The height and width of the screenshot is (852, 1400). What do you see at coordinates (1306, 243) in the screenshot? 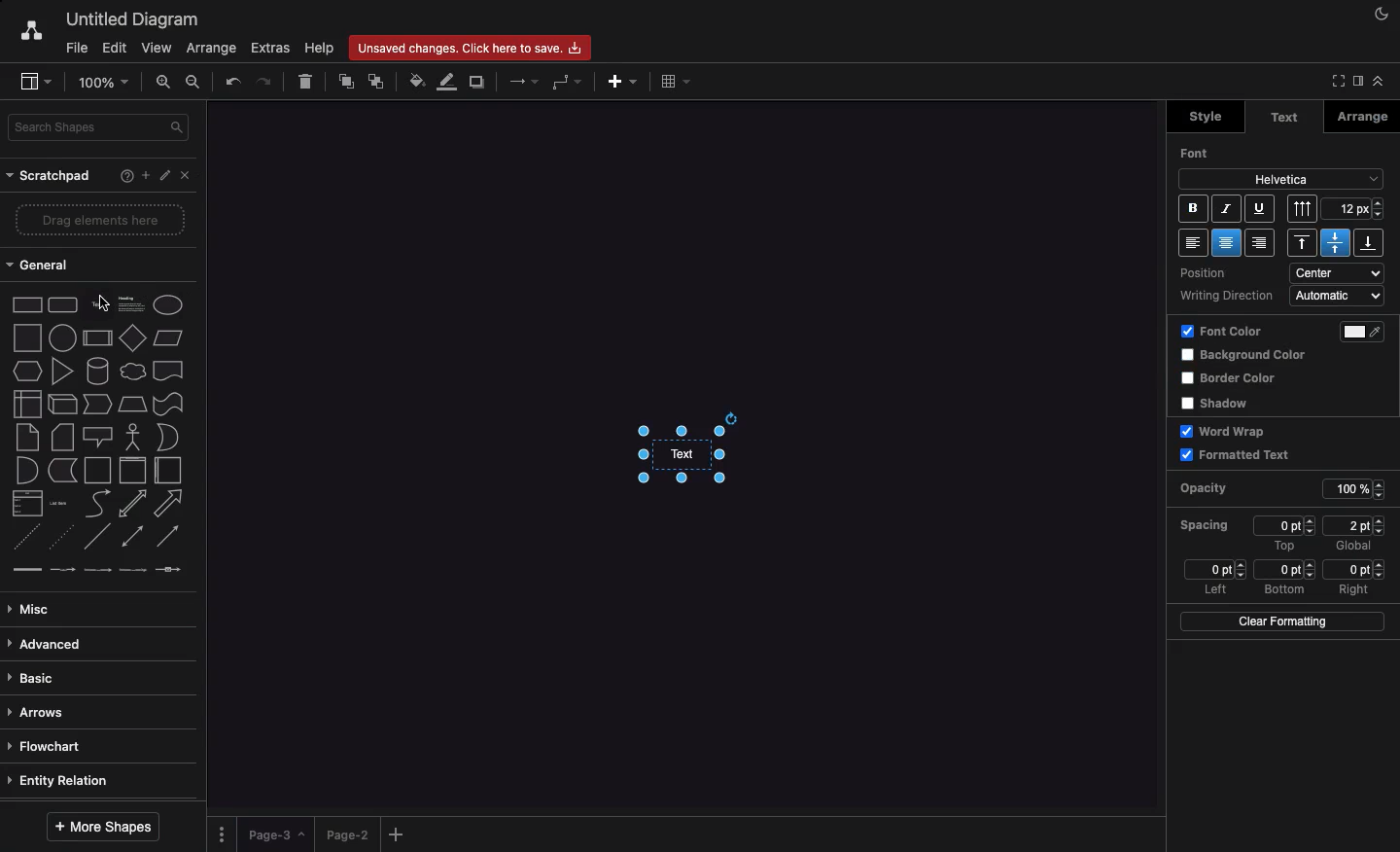
I see `Top` at bounding box center [1306, 243].